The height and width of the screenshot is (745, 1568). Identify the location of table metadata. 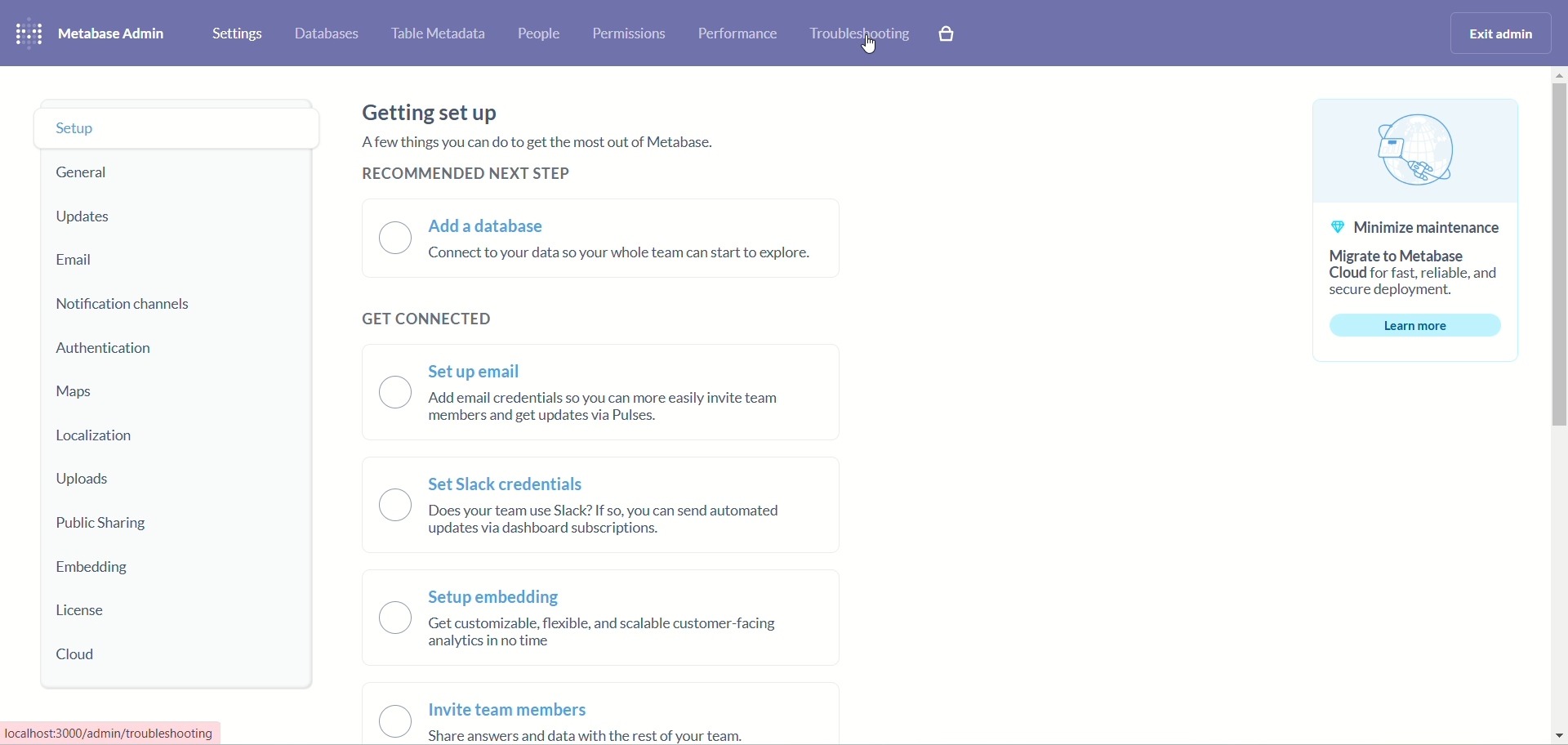
(438, 36).